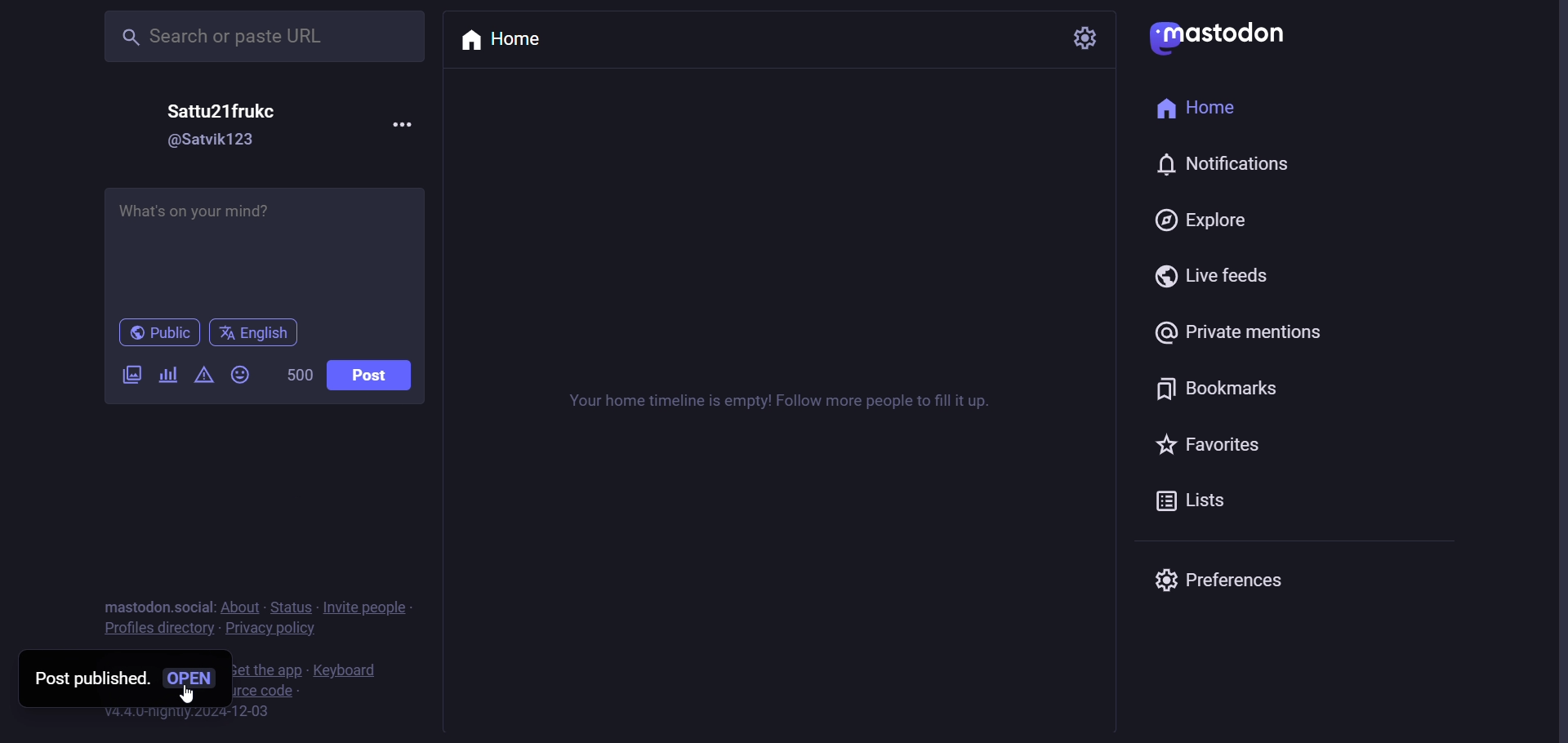  I want to click on English, so click(256, 334).